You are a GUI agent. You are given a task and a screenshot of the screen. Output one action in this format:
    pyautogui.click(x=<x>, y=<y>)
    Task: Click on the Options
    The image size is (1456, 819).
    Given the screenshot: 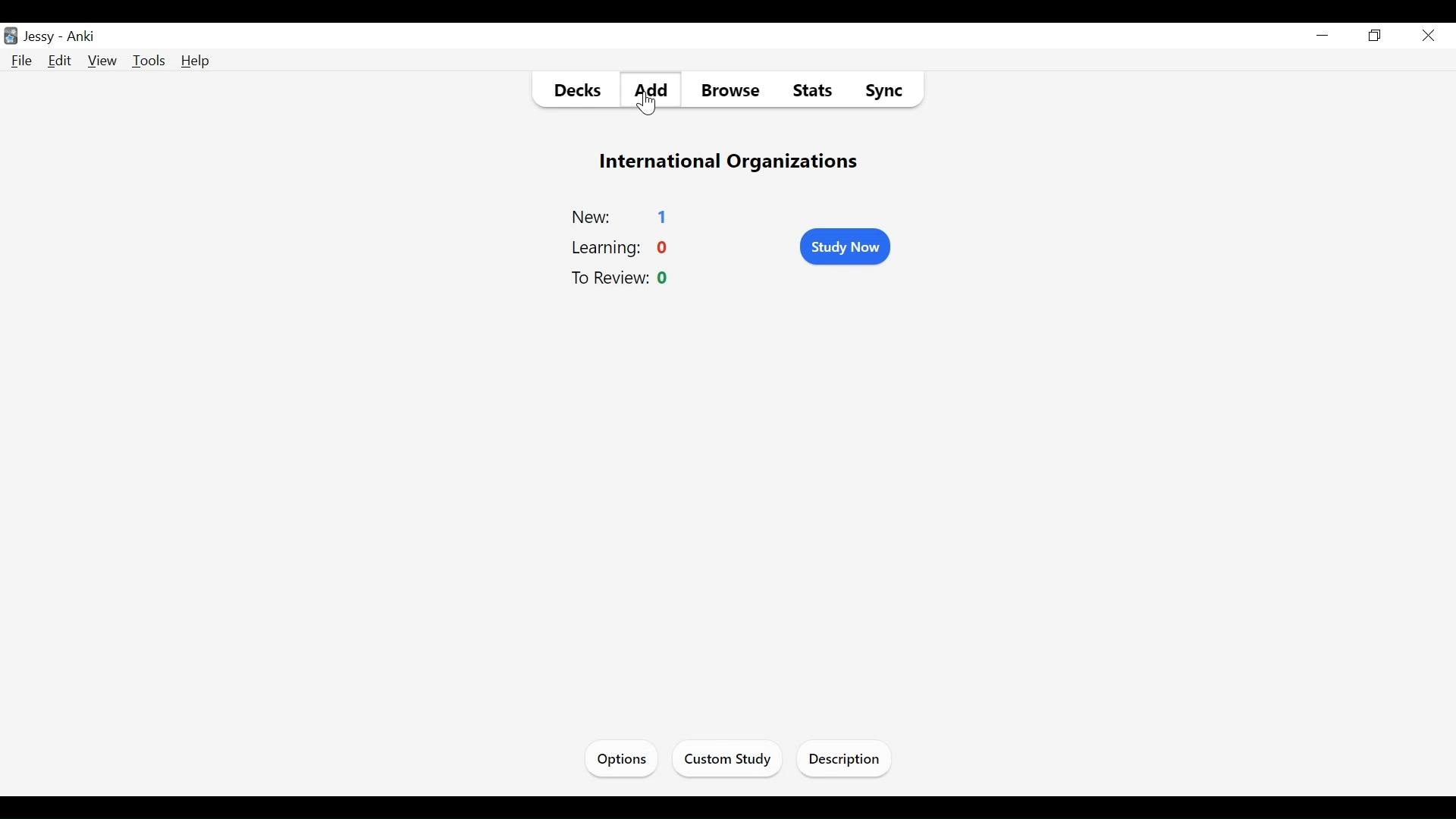 What is the action you would take?
    pyautogui.click(x=622, y=759)
    